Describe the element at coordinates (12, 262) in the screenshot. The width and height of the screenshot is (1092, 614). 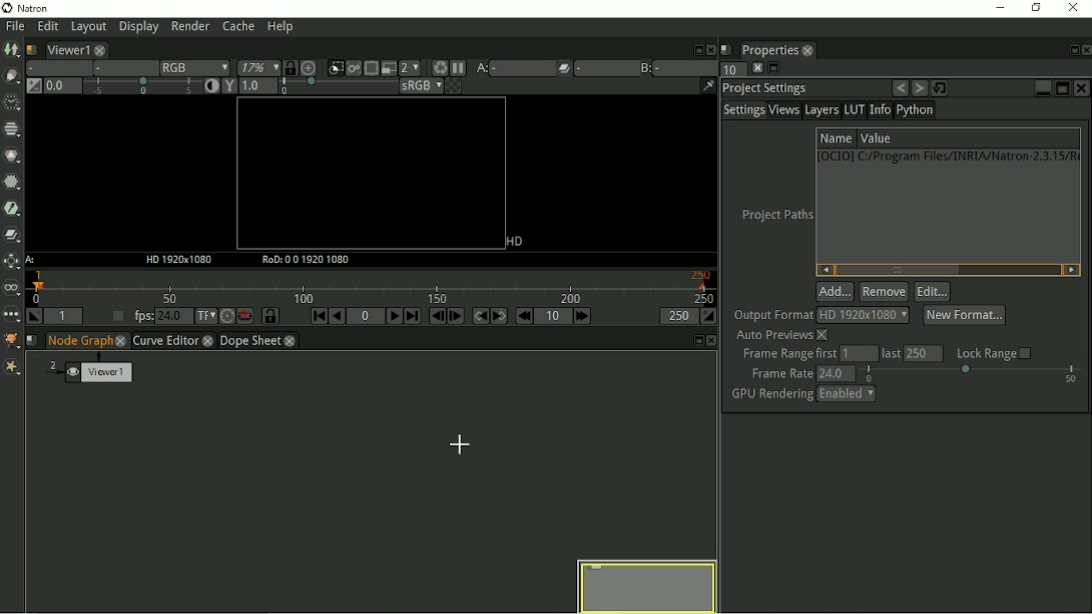
I see `Transform` at that location.